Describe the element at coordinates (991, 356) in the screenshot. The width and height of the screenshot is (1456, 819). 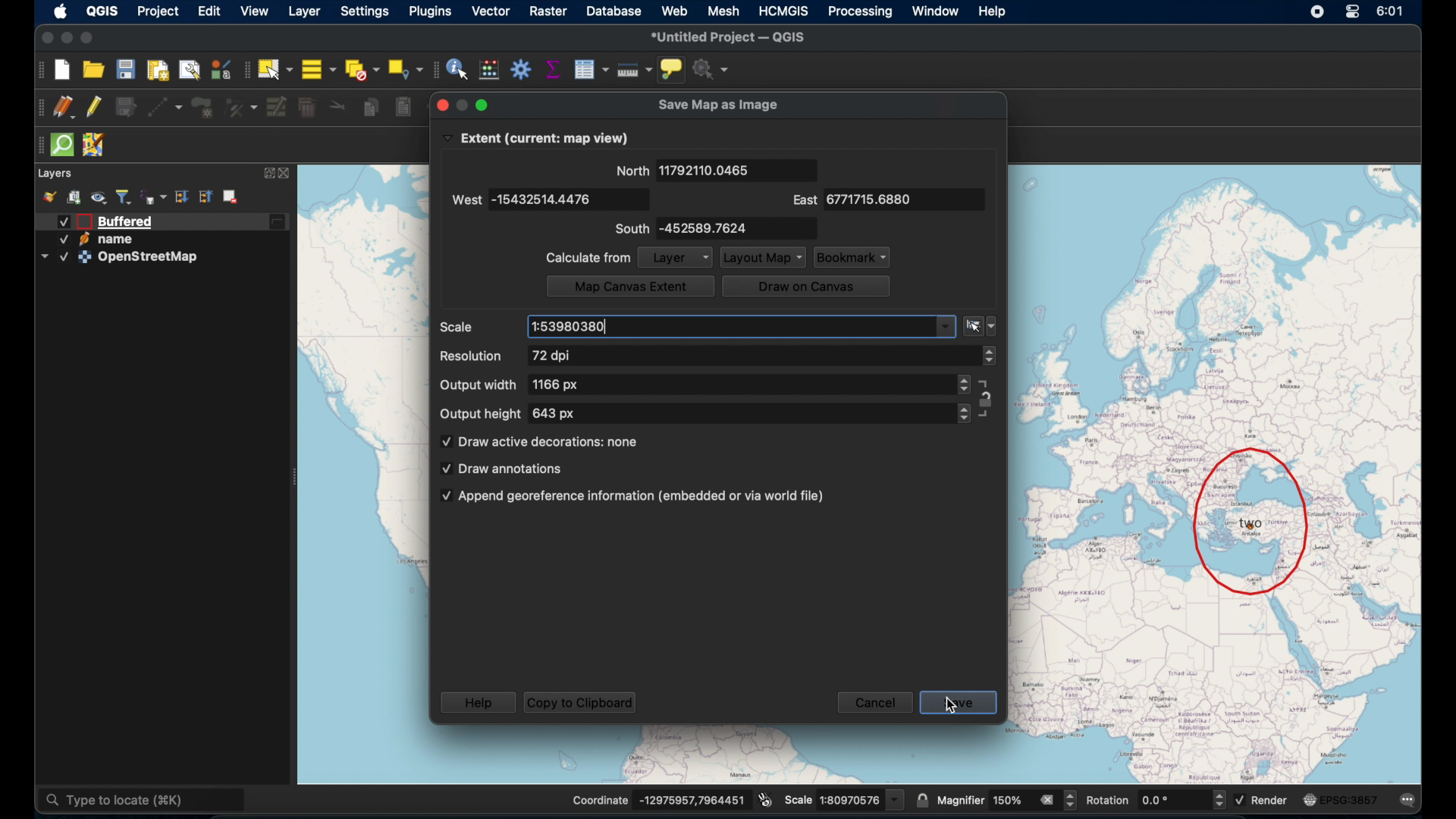
I see `stepper button` at that location.